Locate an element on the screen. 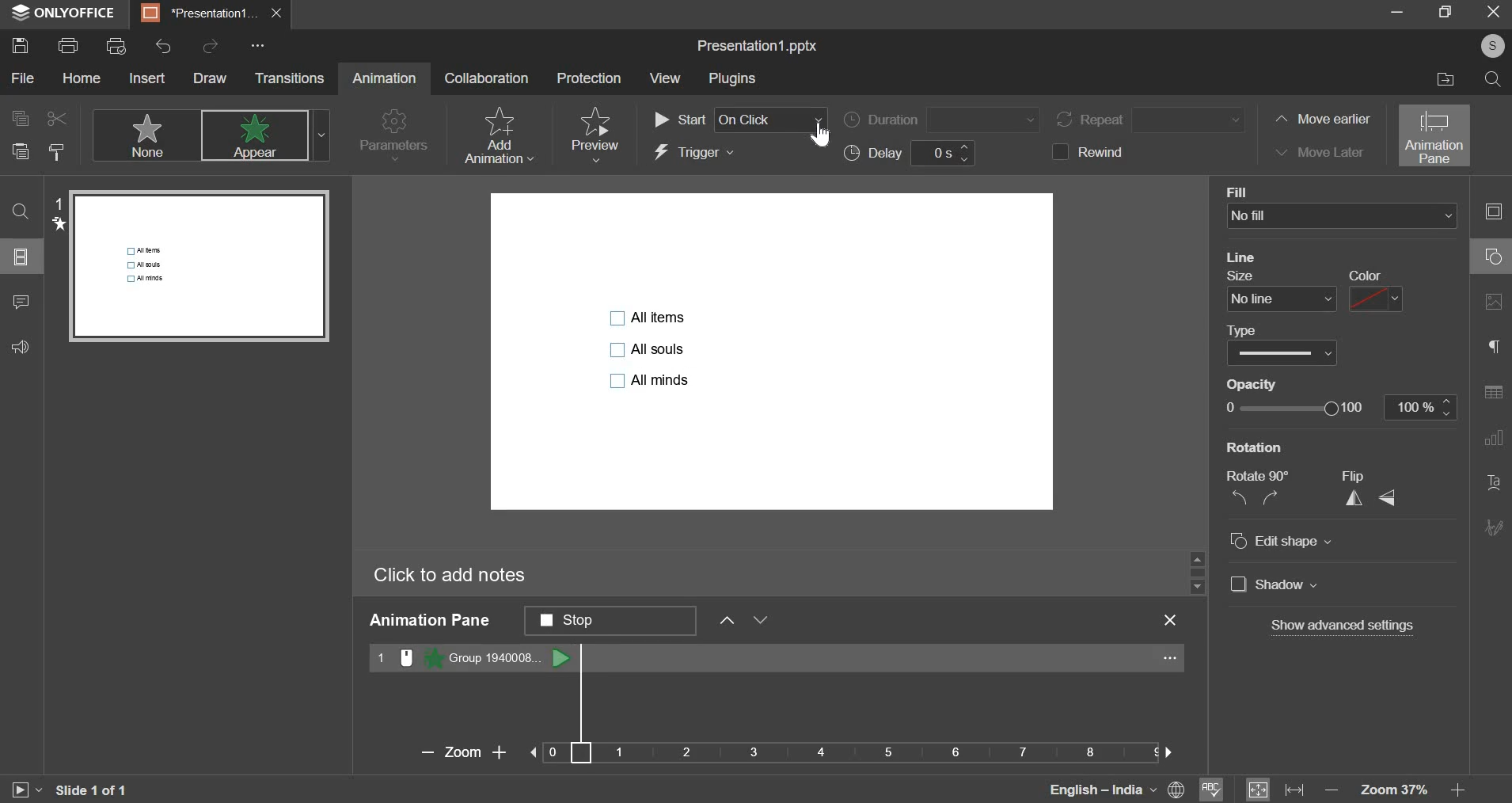  animation pane is located at coordinates (428, 621).